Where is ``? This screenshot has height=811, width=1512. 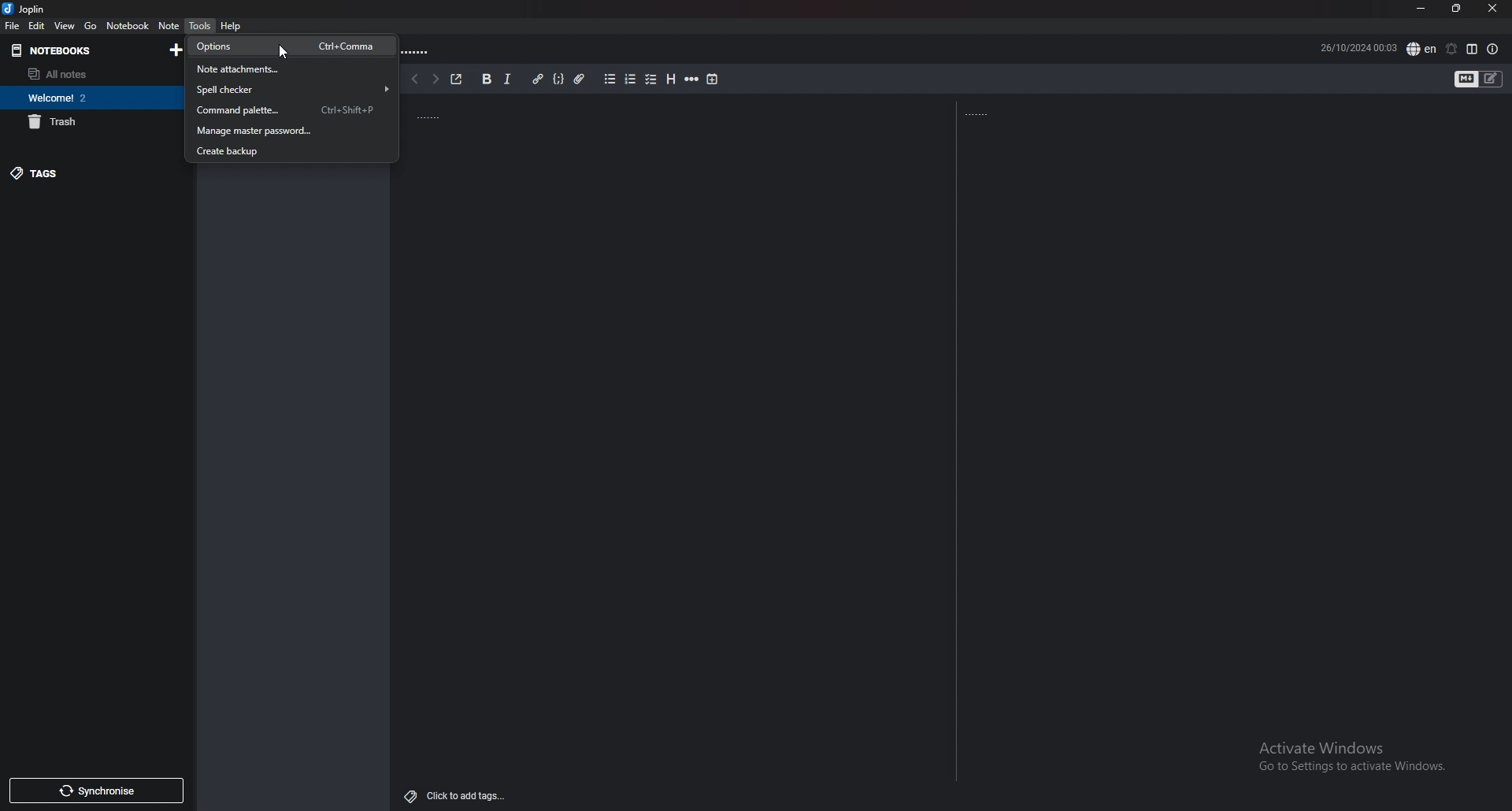
 is located at coordinates (285, 54).